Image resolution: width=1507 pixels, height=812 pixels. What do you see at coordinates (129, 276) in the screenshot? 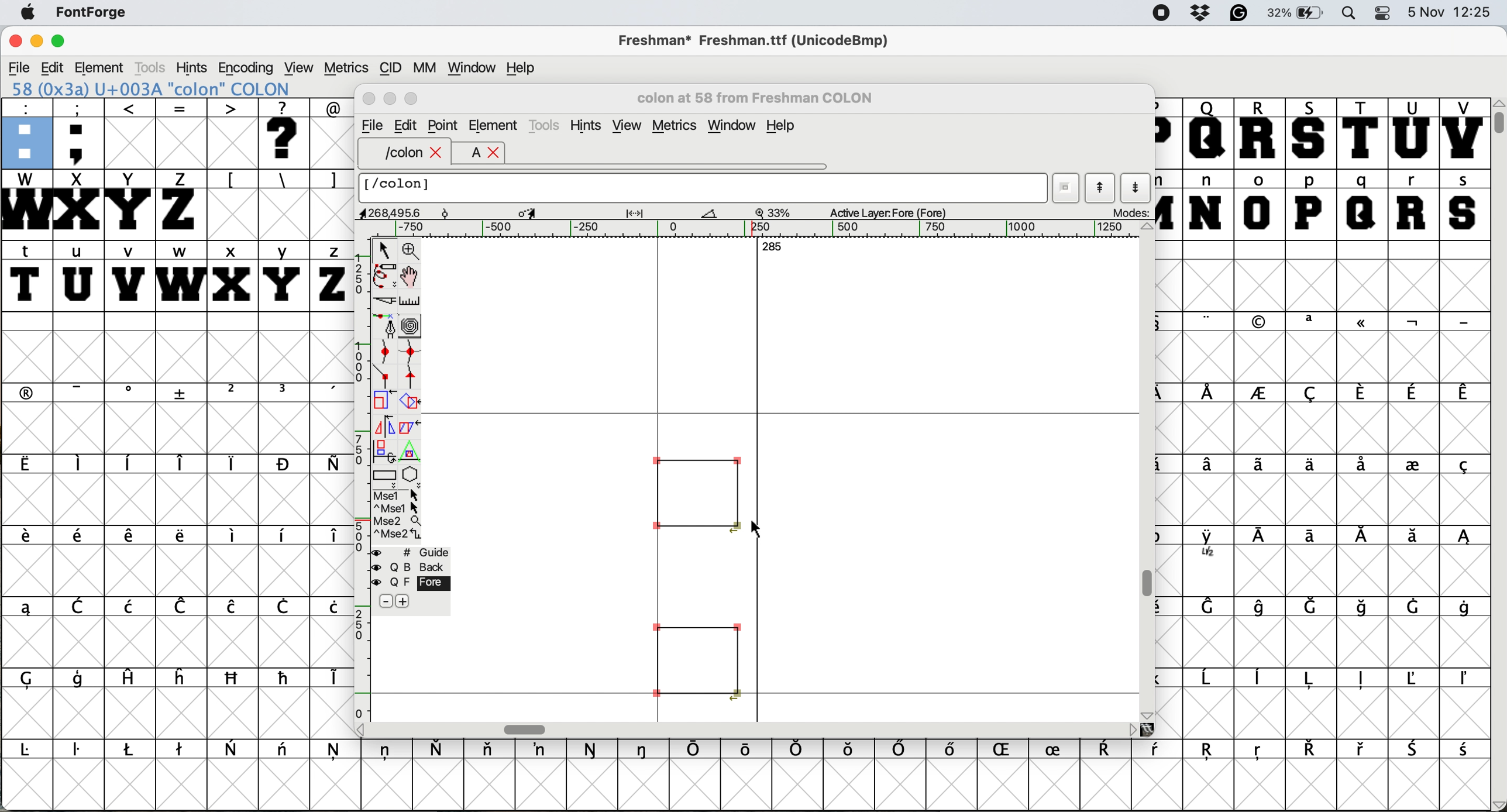
I see `v` at bounding box center [129, 276].